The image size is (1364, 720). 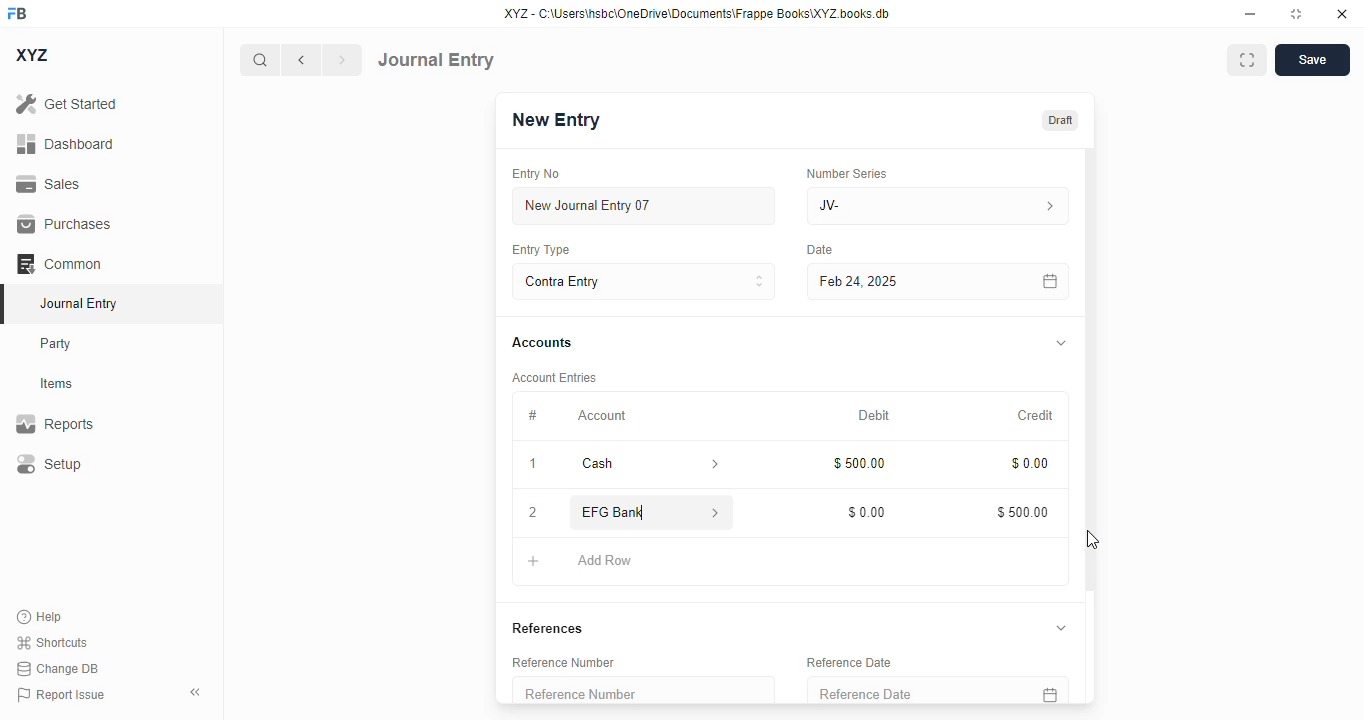 What do you see at coordinates (67, 104) in the screenshot?
I see `get started` at bounding box center [67, 104].